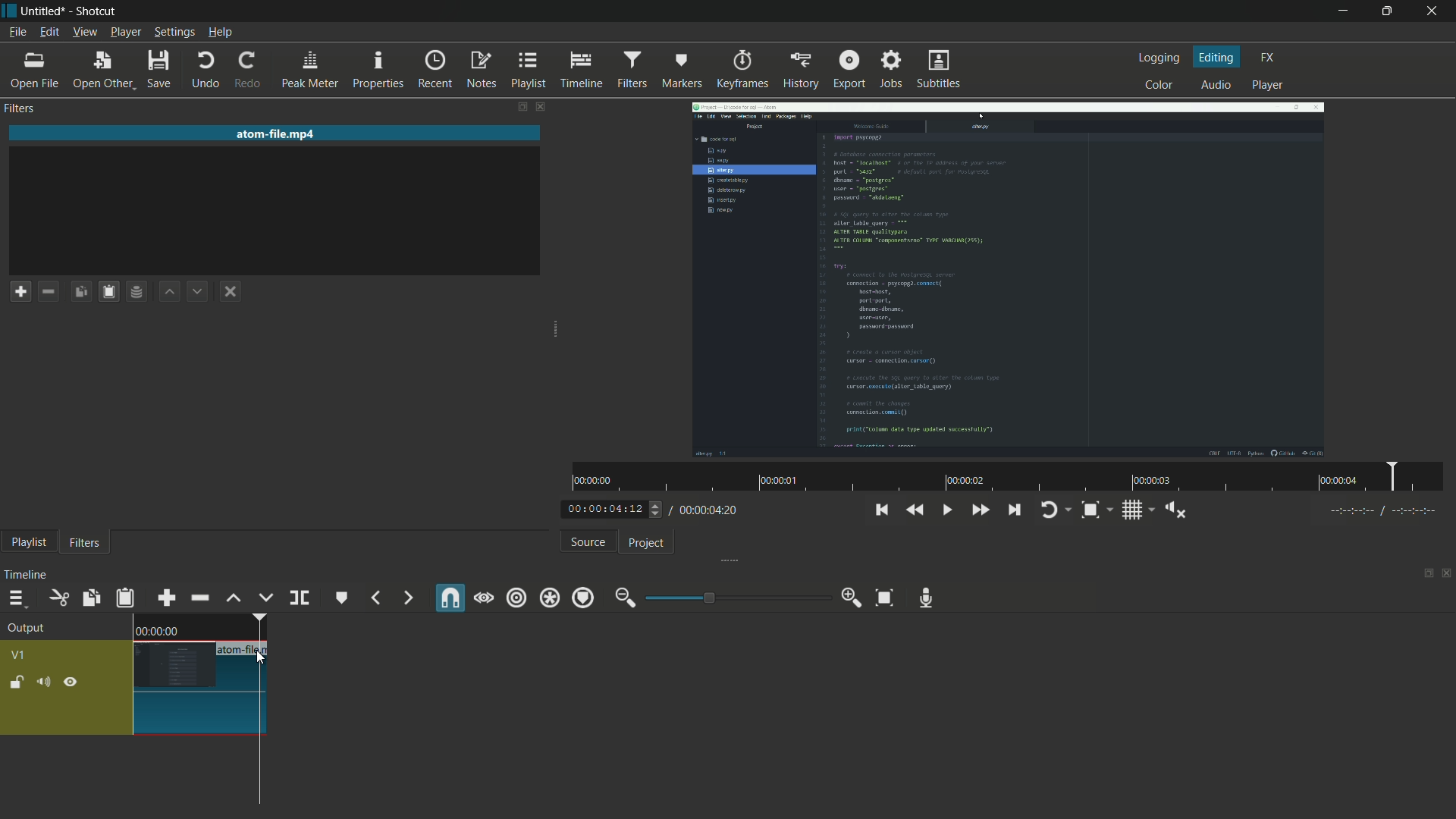 The width and height of the screenshot is (1456, 819). I want to click on zoom timeline to fit, so click(885, 599).